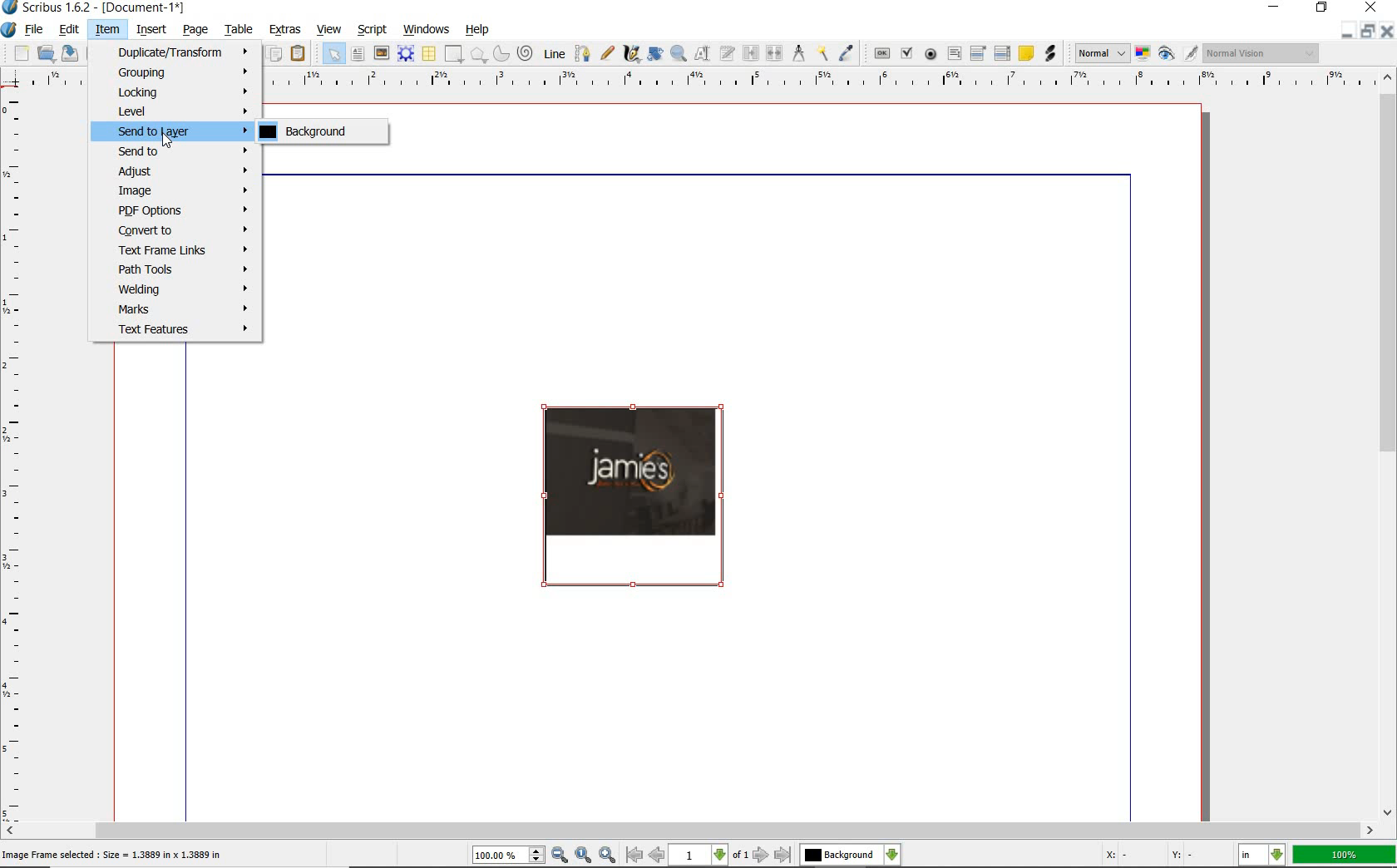 Image resolution: width=1397 pixels, height=868 pixels. Describe the element at coordinates (356, 55) in the screenshot. I see `text frame` at that location.